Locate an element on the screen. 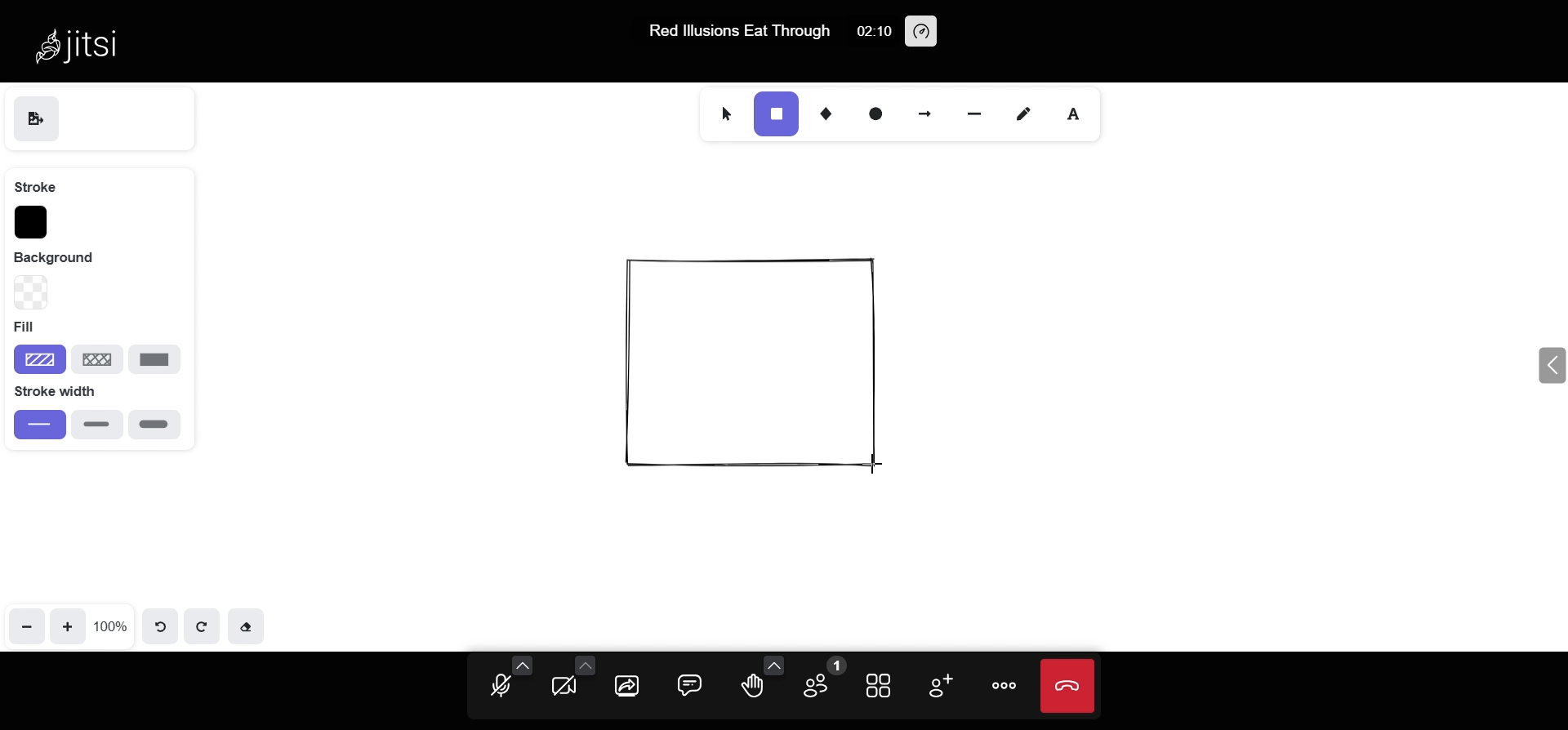 The image size is (1568, 730). text is located at coordinates (1080, 113).